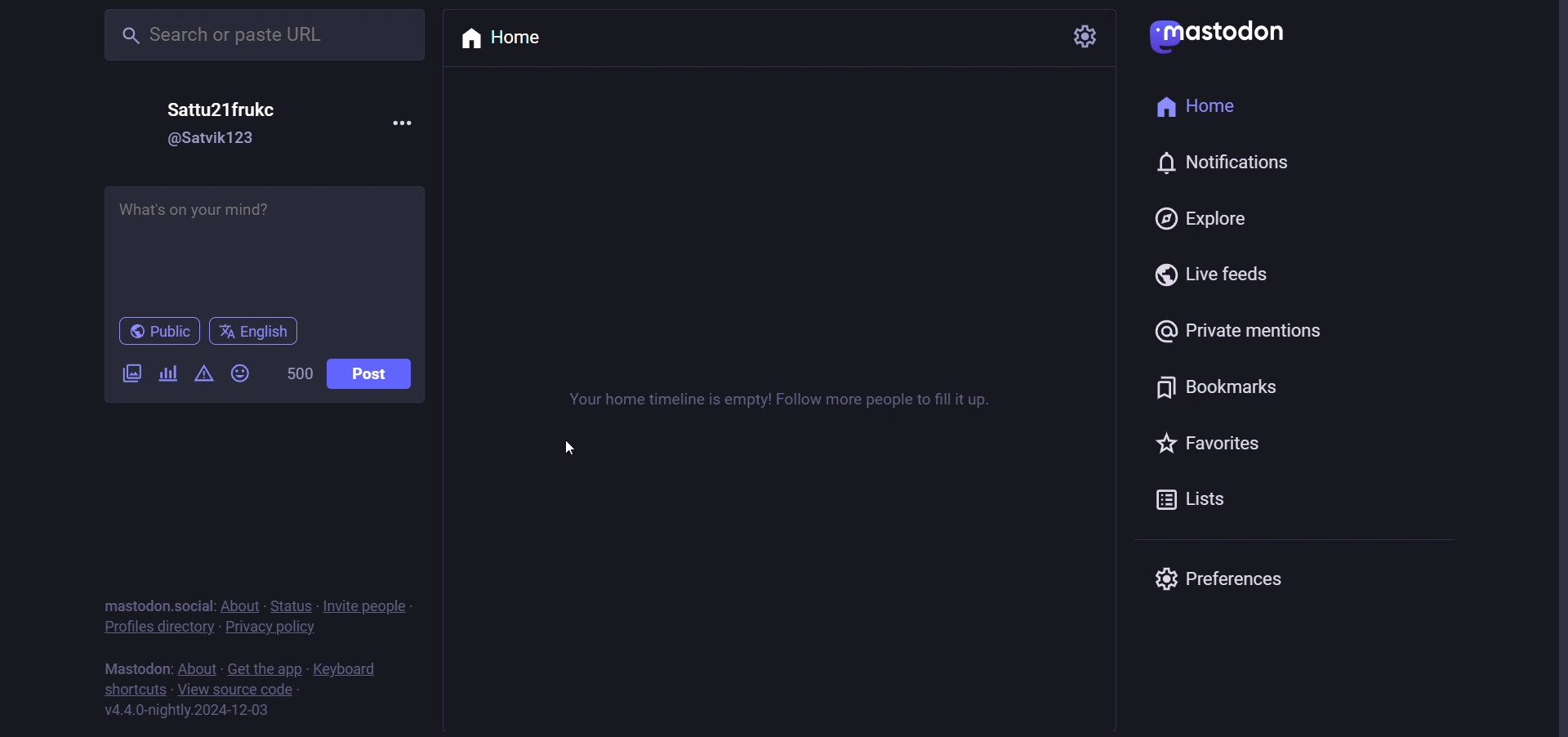 The height and width of the screenshot is (737, 1568). What do you see at coordinates (1198, 110) in the screenshot?
I see `home` at bounding box center [1198, 110].